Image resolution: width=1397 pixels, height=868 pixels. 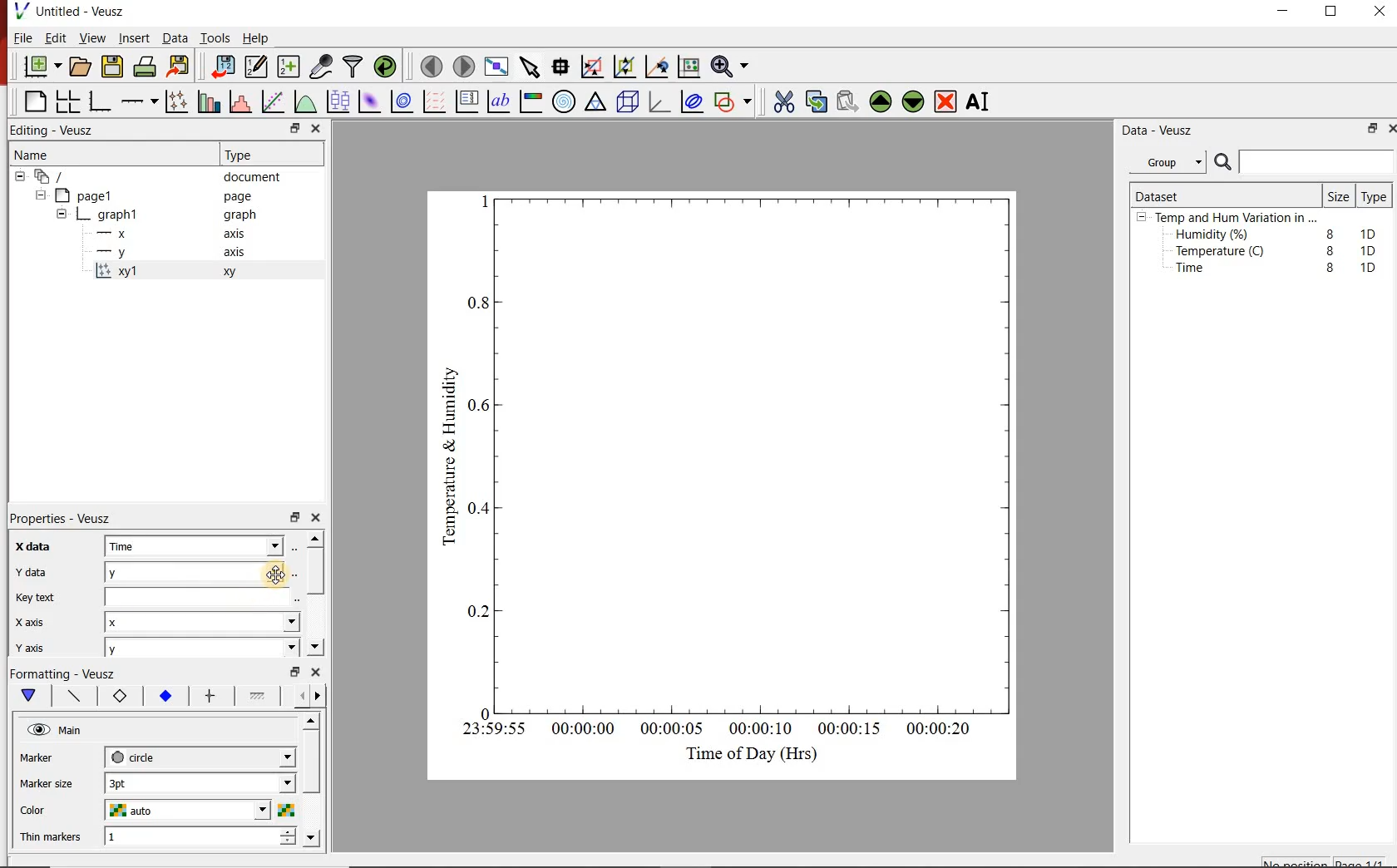 What do you see at coordinates (502, 101) in the screenshot?
I see `text label` at bounding box center [502, 101].